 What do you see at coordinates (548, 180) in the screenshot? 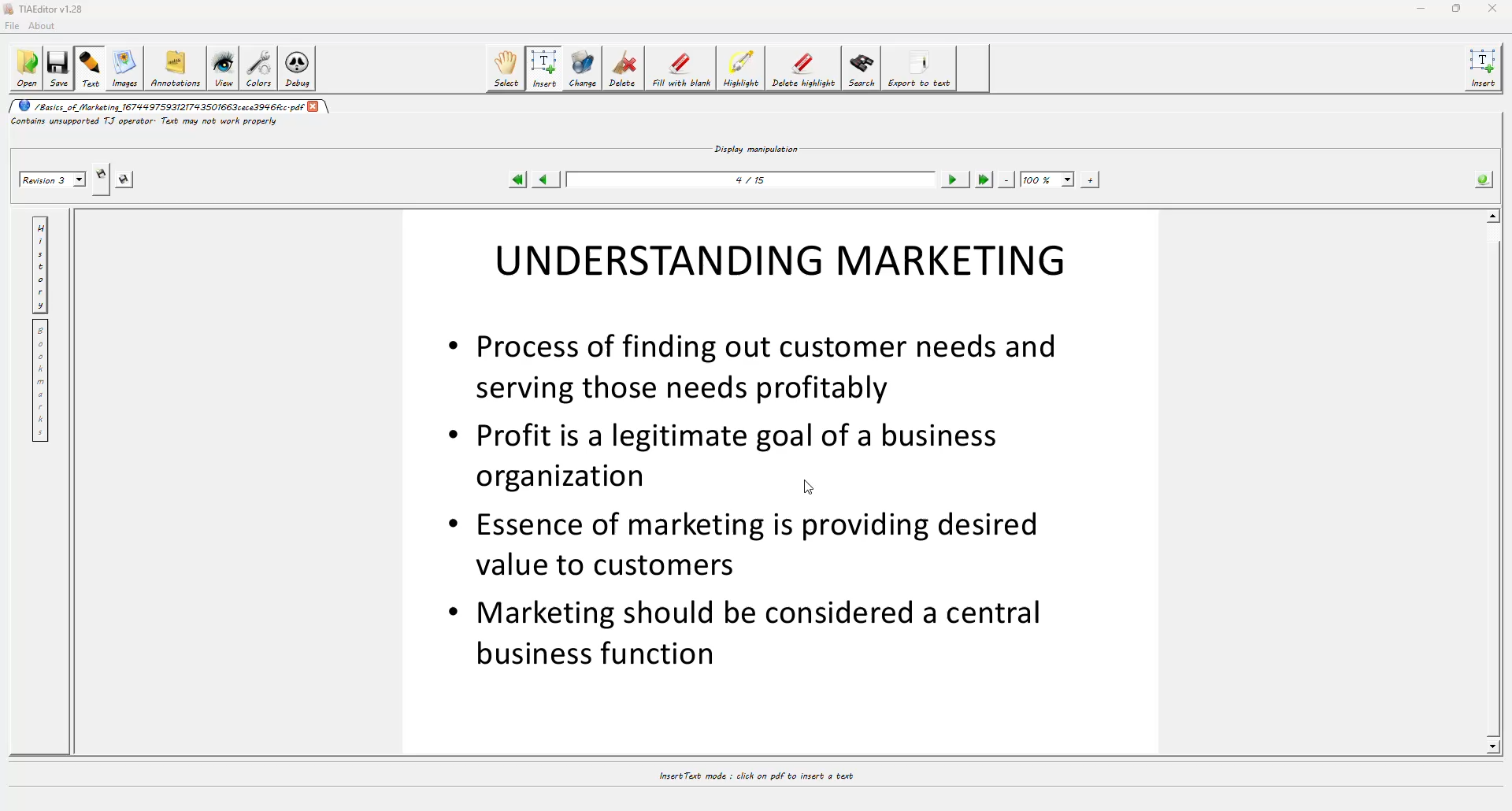
I see `previous page` at bounding box center [548, 180].